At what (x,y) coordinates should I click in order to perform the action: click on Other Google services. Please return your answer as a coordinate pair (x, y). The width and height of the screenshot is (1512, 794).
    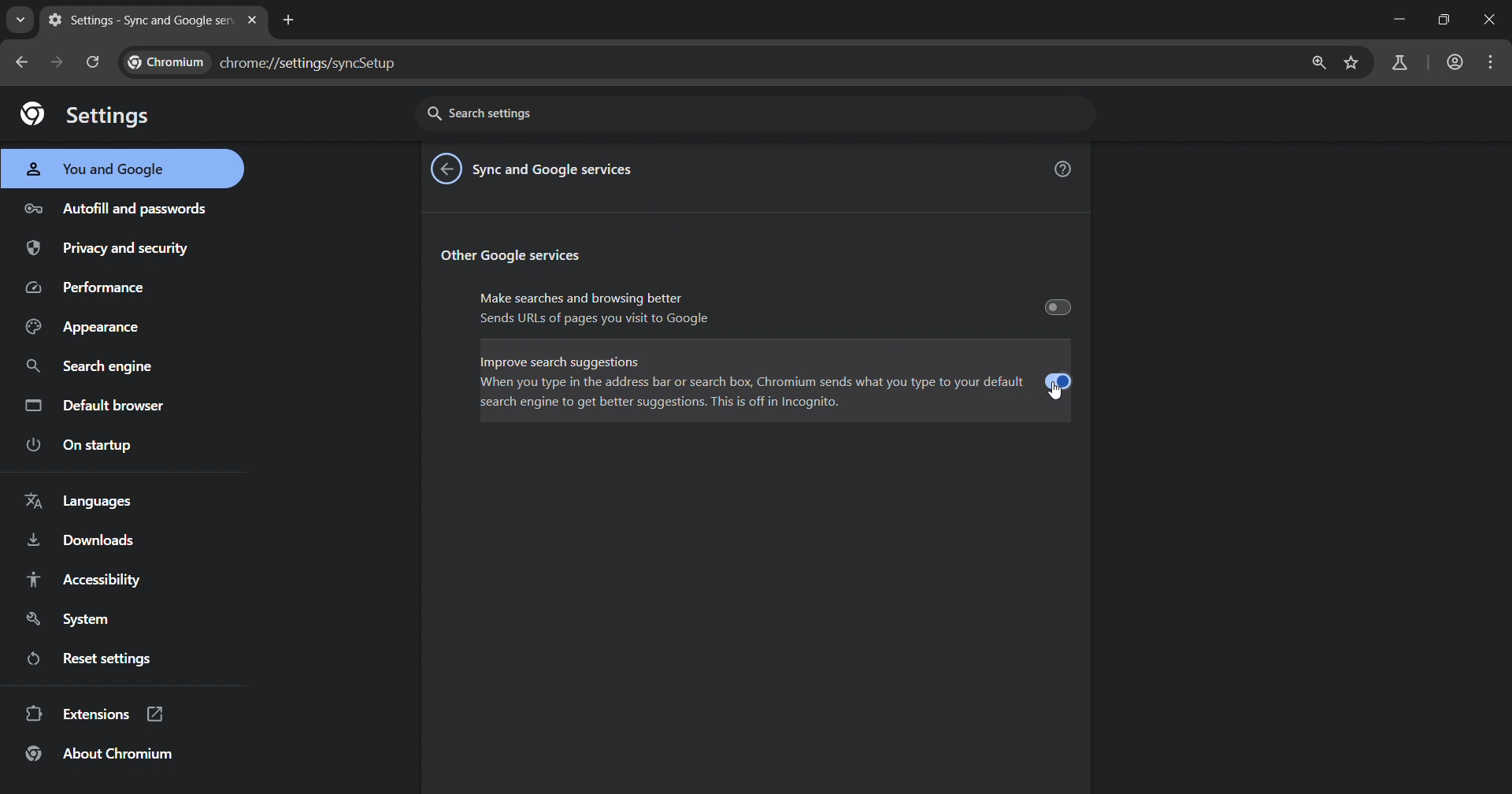
    Looking at the image, I should click on (514, 254).